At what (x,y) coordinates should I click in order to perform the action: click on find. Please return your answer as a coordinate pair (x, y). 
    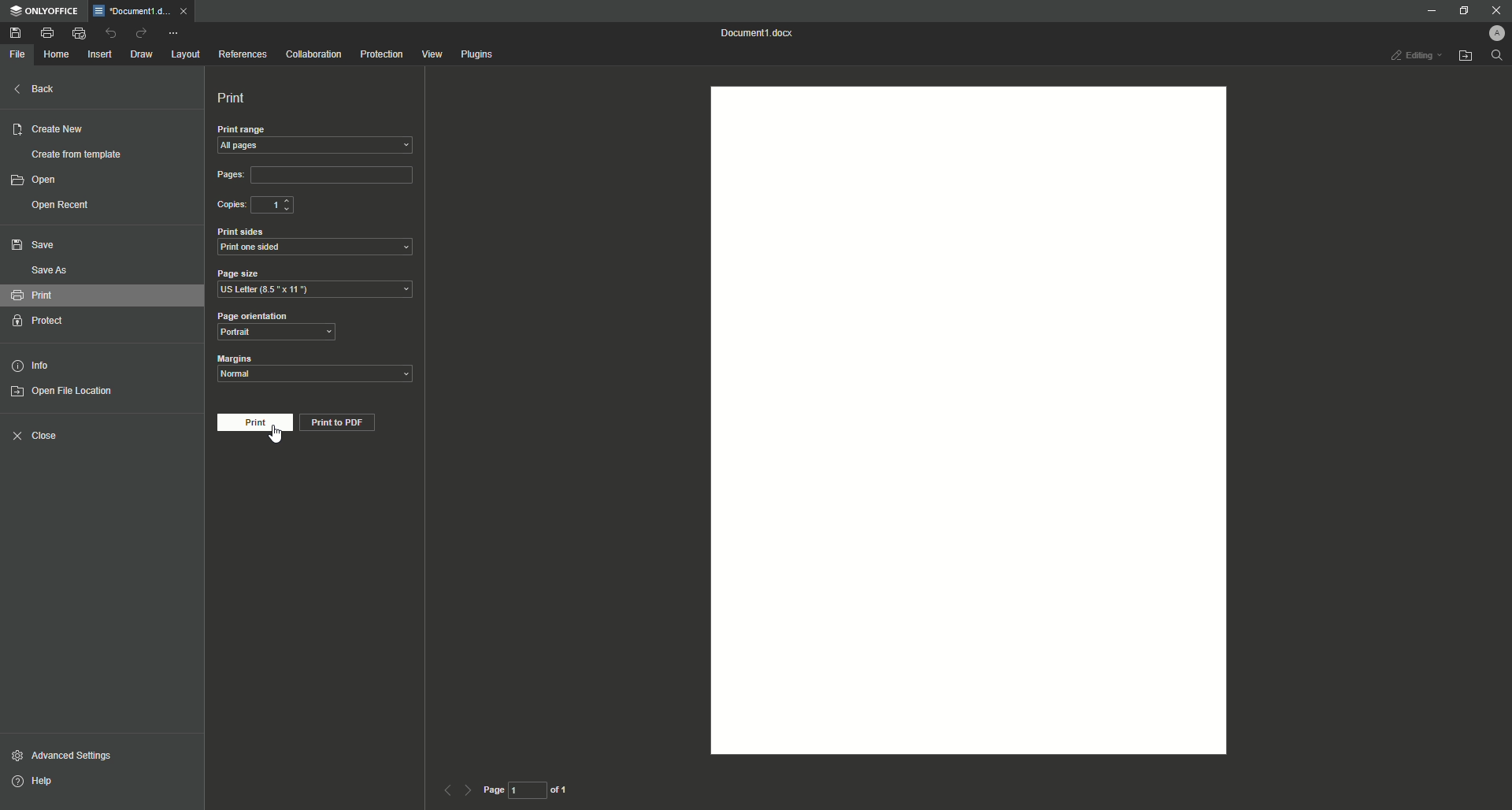
    Looking at the image, I should click on (1496, 55).